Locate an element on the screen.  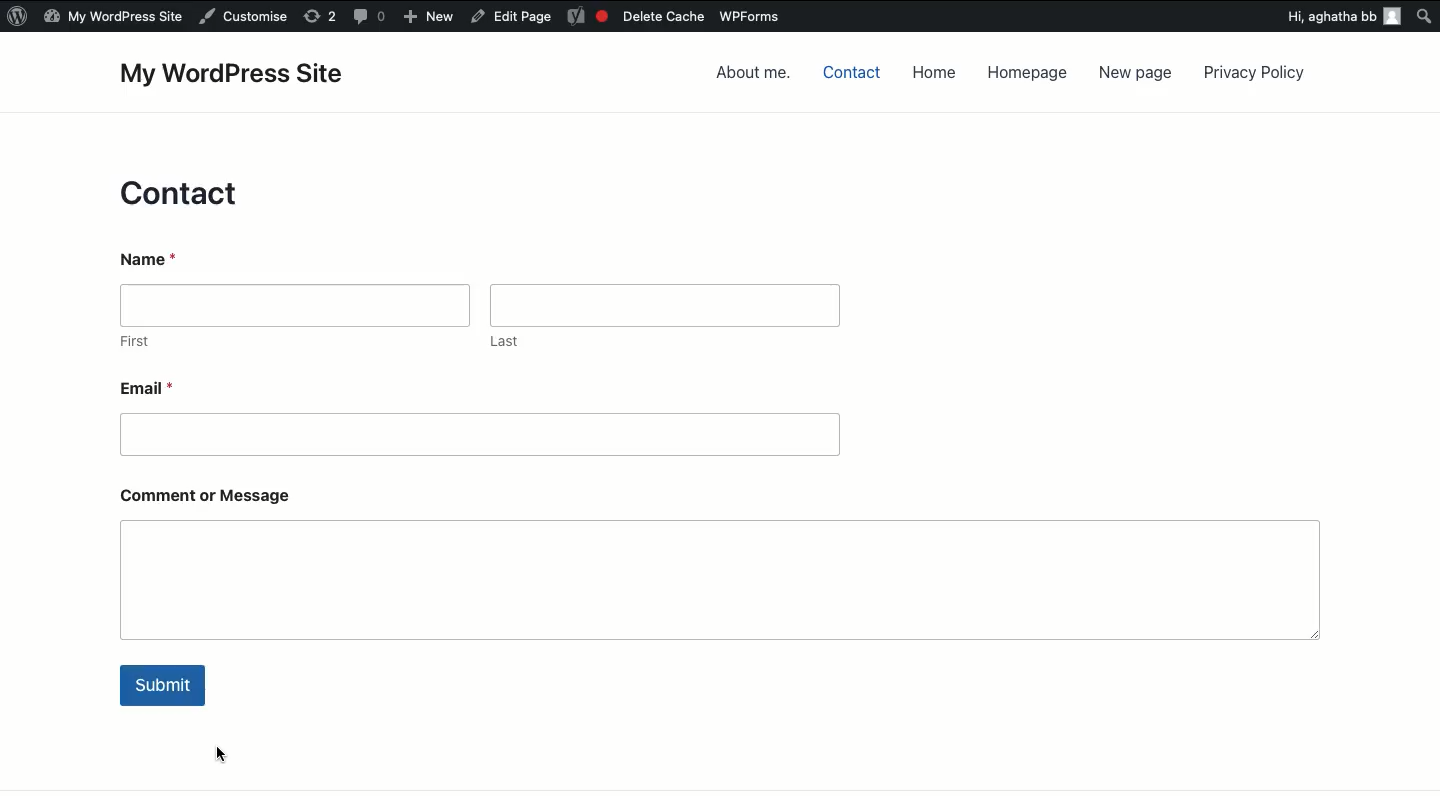
cursor is located at coordinates (226, 754).